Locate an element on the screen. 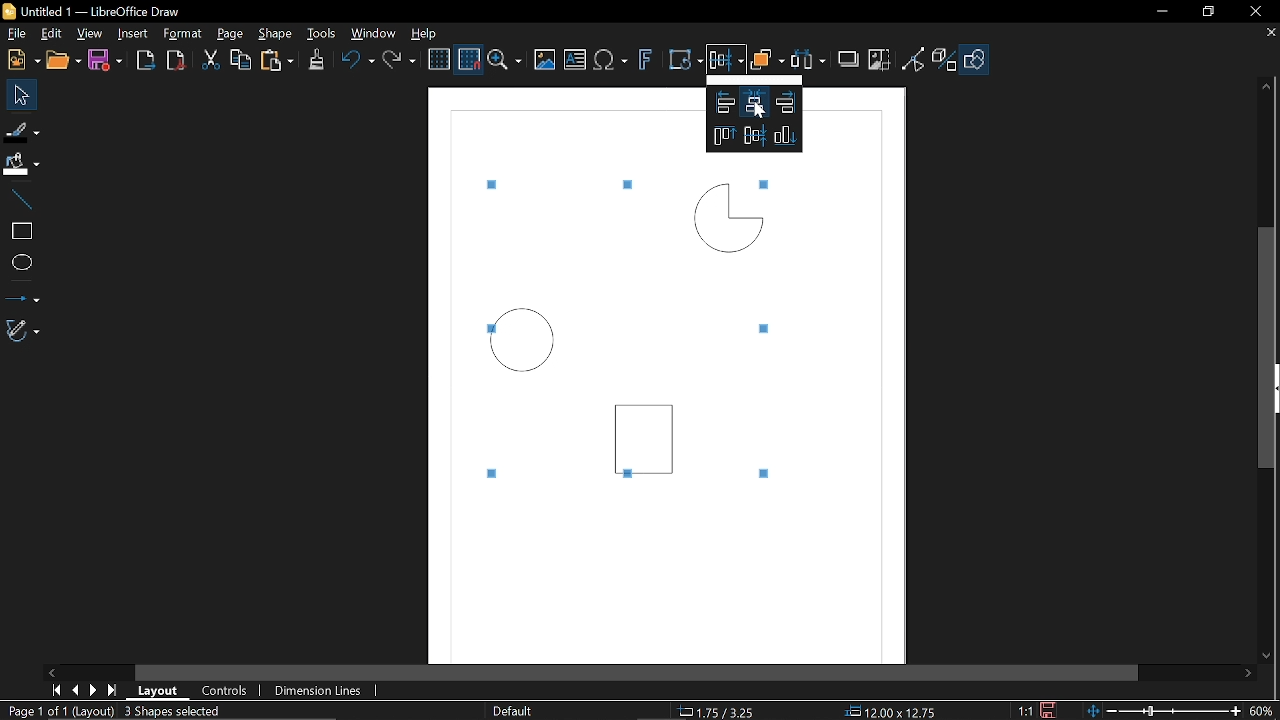  Line is located at coordinates (18, 195).